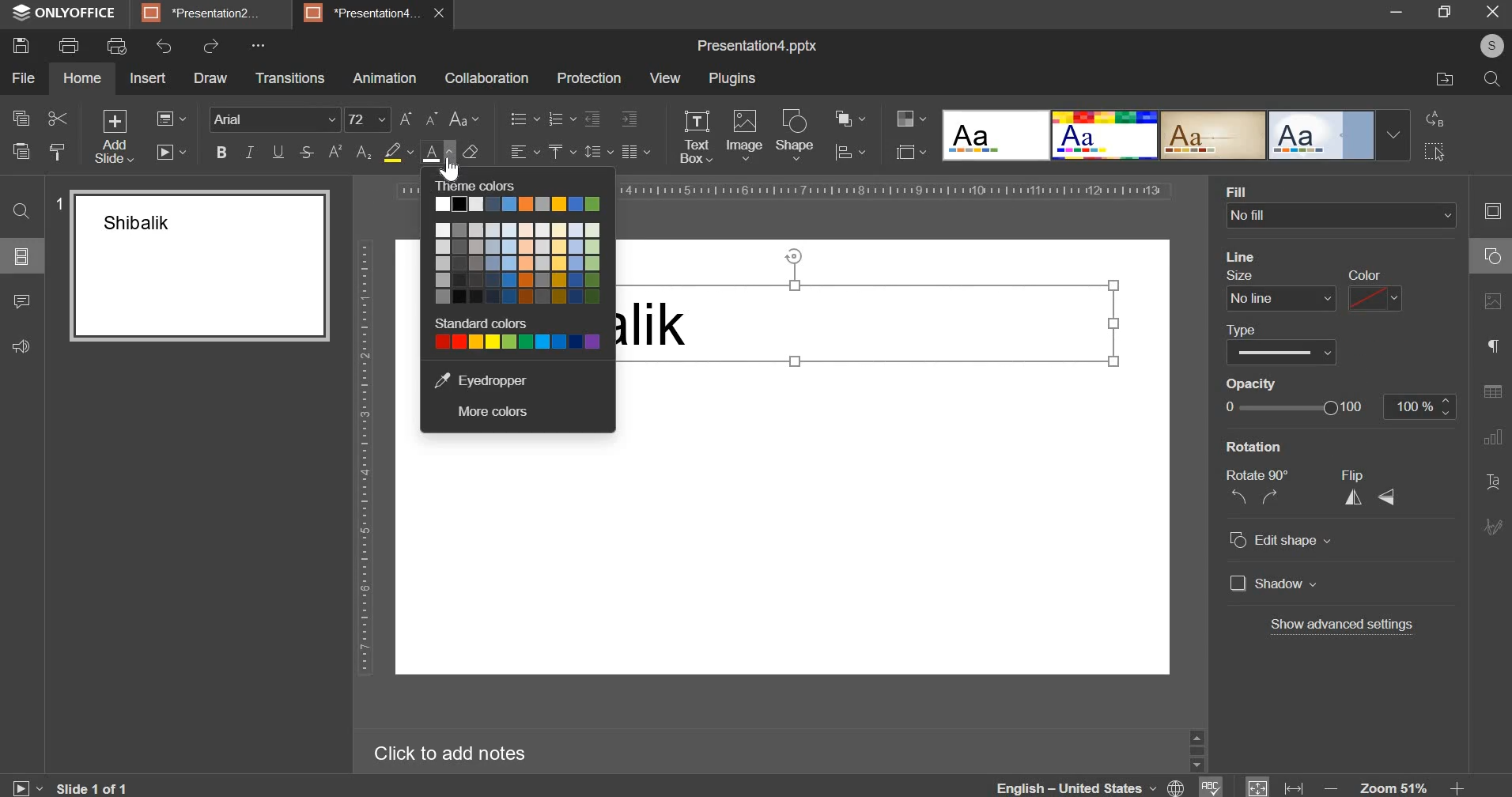  What do you see at coordinates (437, 153) in the screenshot?
I see `text color` at bounding box center [437, 153].